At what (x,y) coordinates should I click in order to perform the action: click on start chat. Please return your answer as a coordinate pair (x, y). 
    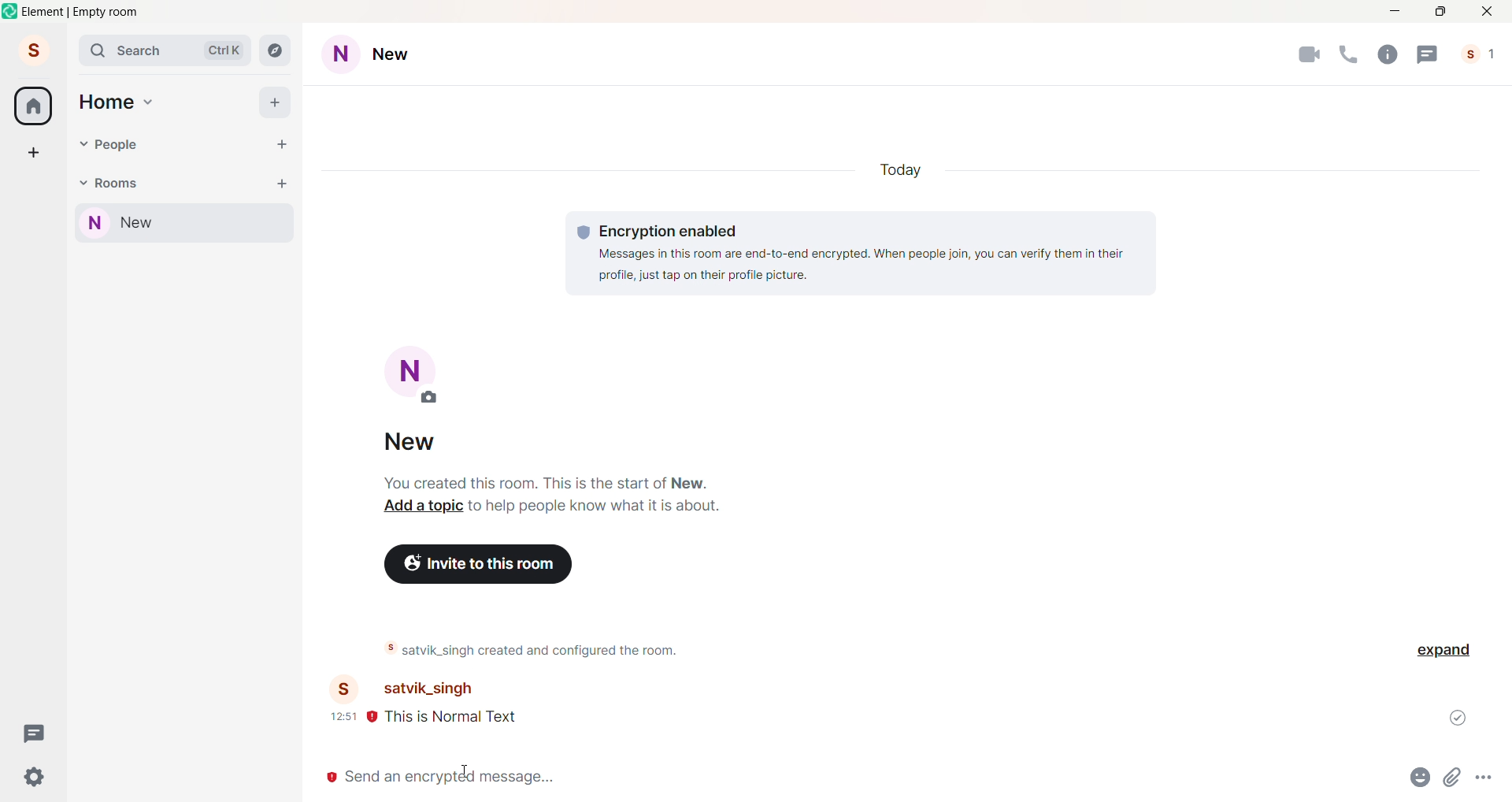
    Looking at the image, I should click on (281, 145).